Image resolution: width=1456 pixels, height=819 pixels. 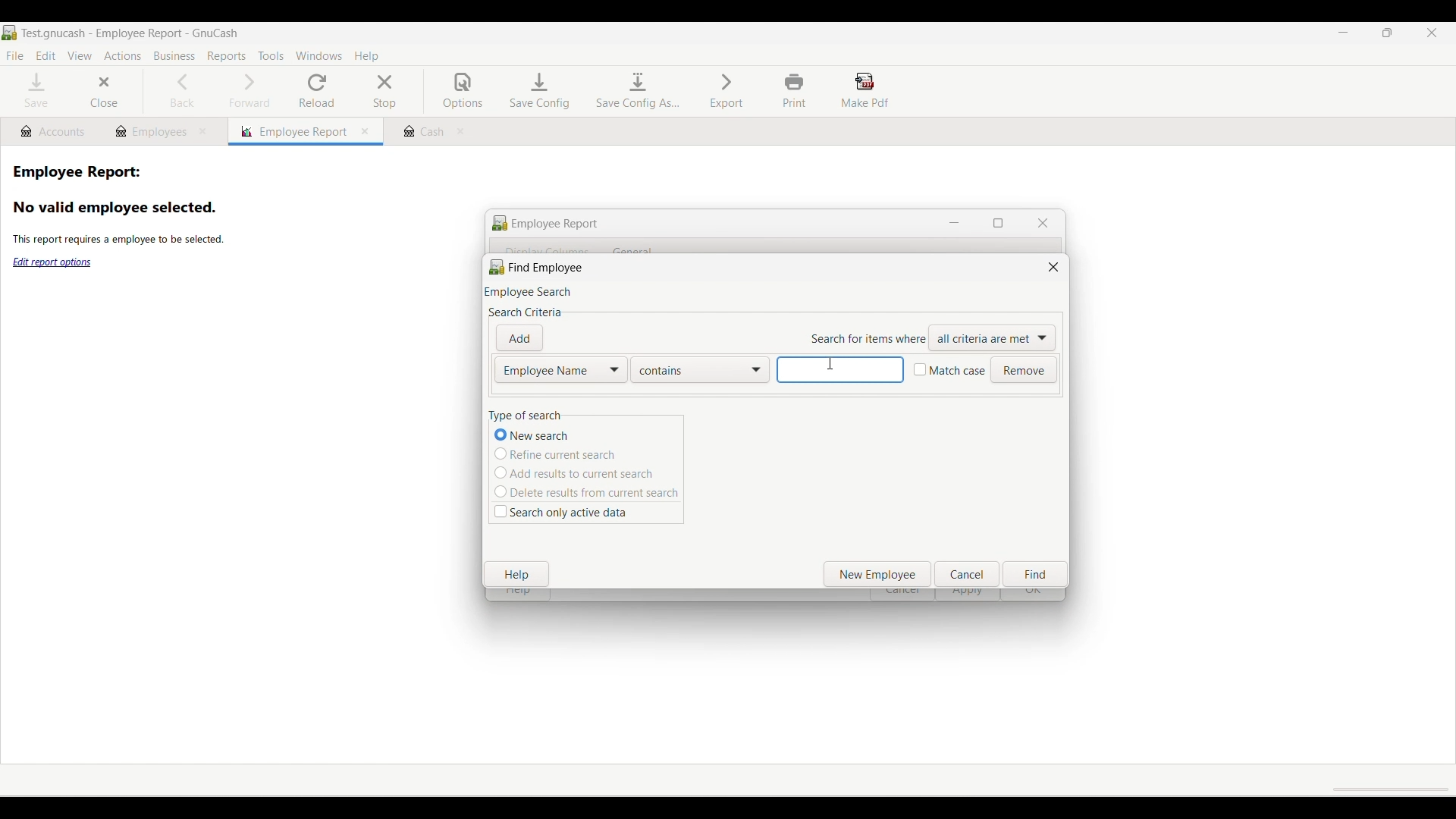 What do you see at coordinates (967, 574) in the screenshot?
I see `Cancel` at bounding box center [967, 574].